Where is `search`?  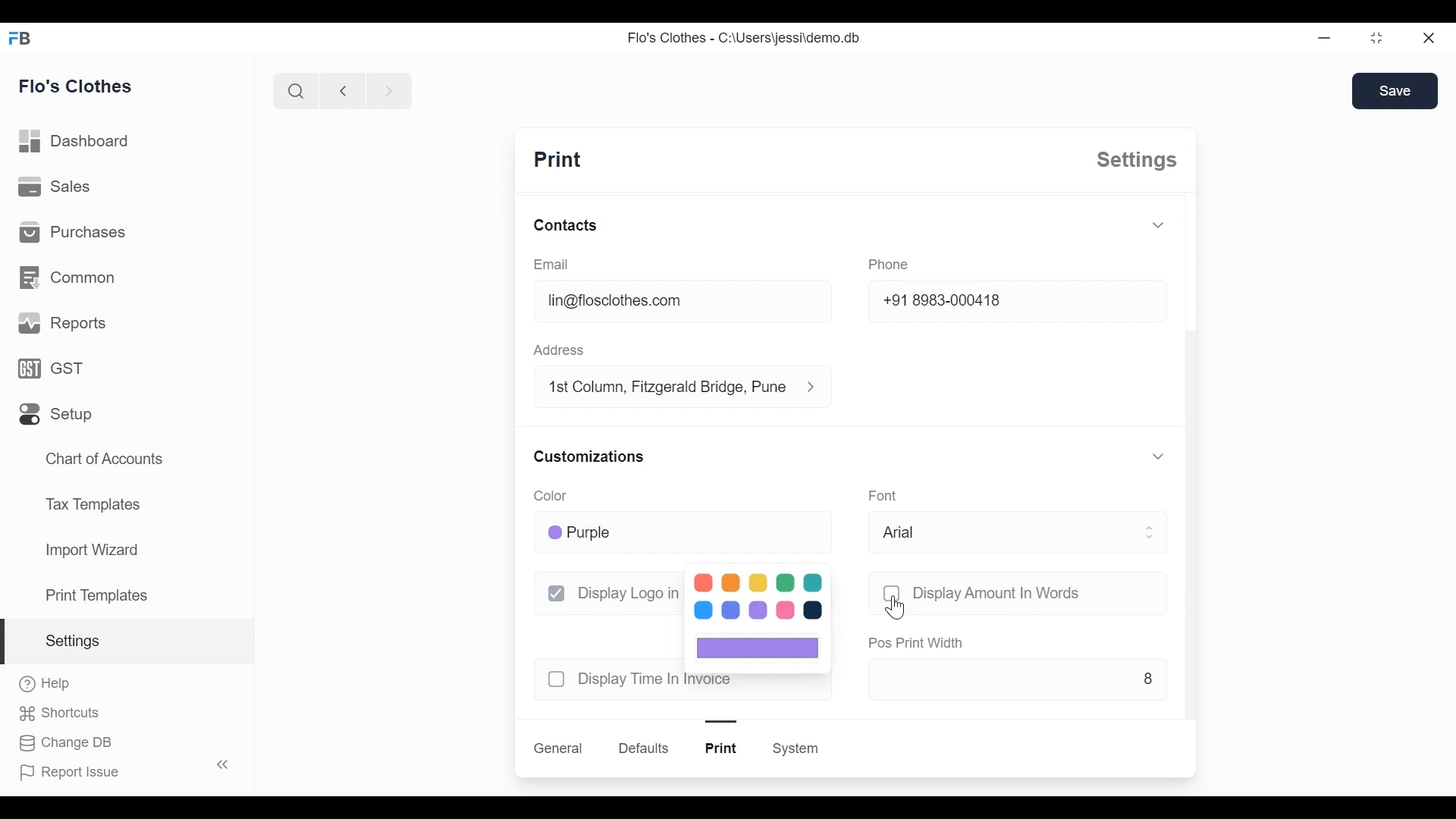 search is located at coordinates (295, 90).